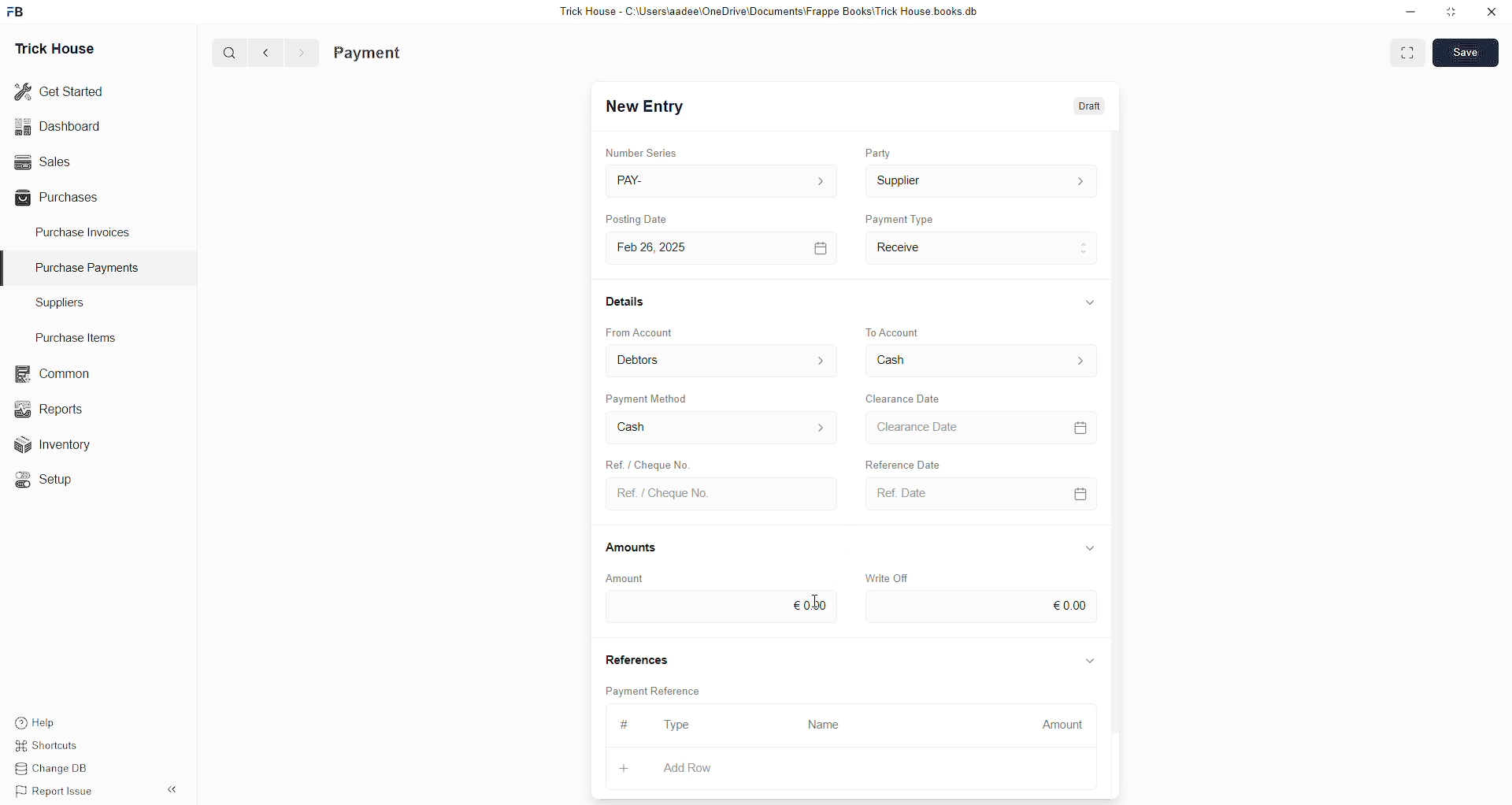 The image size is (1512, 805). What do you see at coordinates (980, 362) in the screenshot?
I see `Cash` at bounding box center [980, 362].